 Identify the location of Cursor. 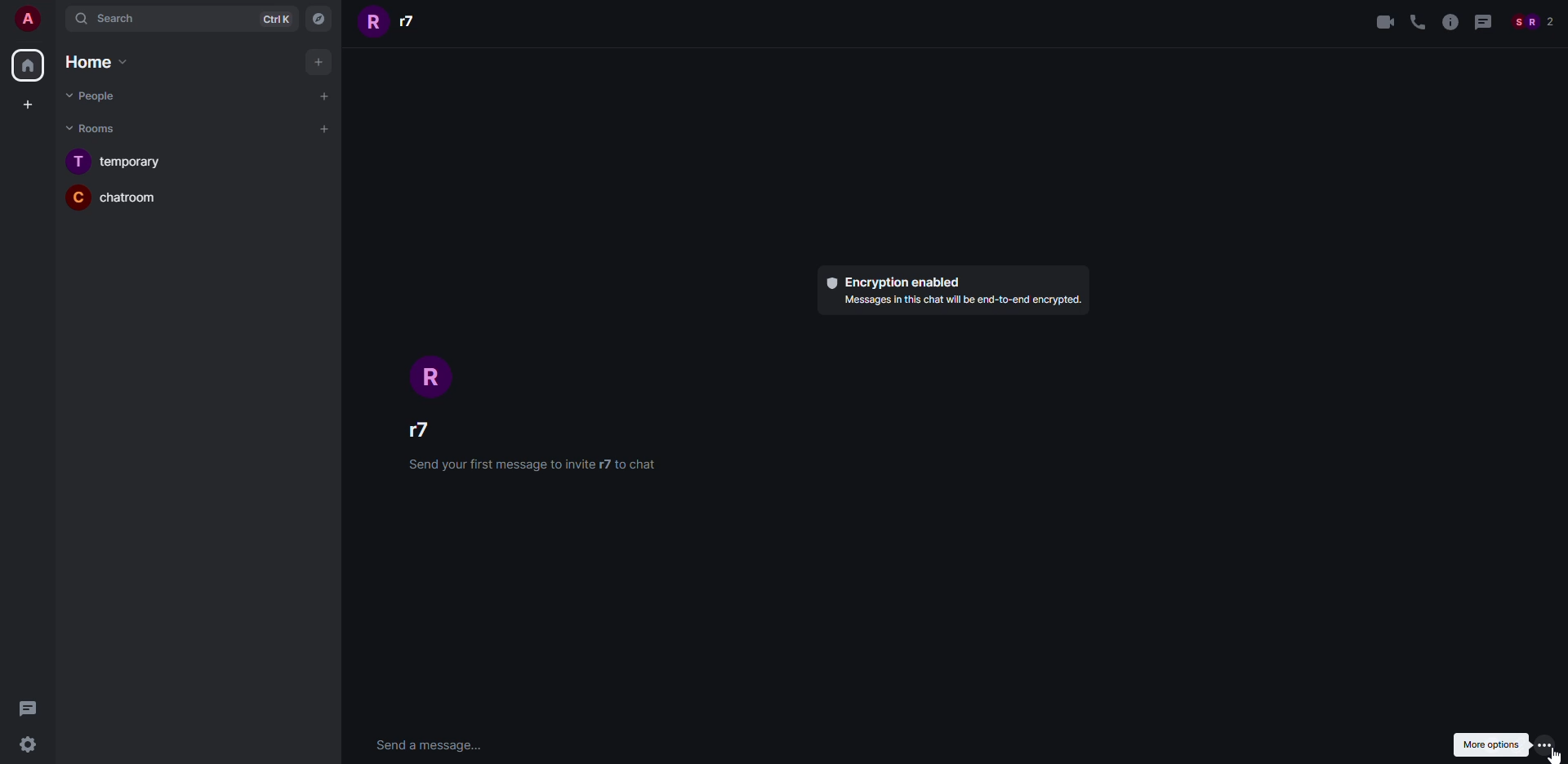
(1555, 755).